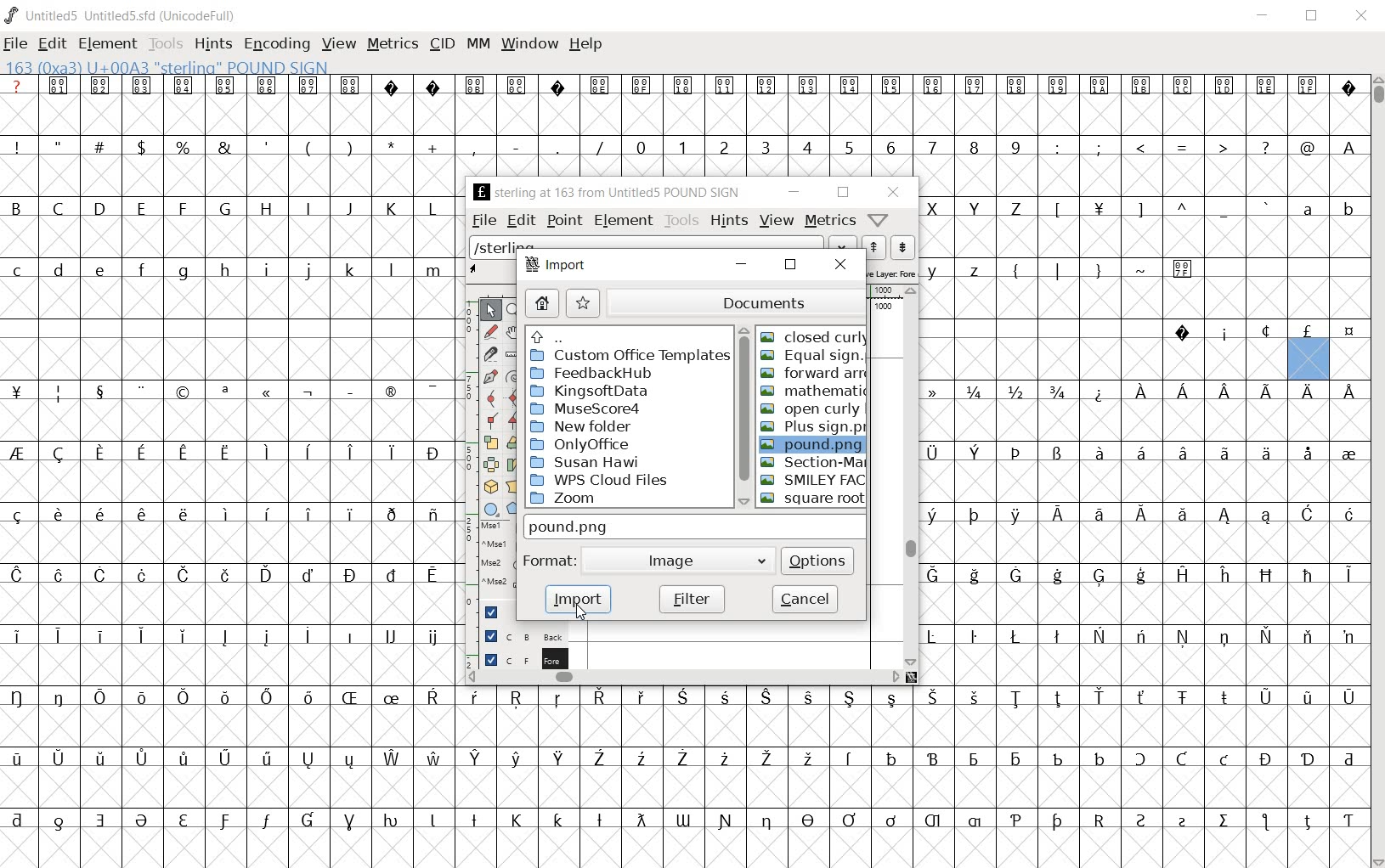 Image resolution: width=1385 pixels, height=868 pixels. Describe the element at coordinates (550, 564) in the screenshot. I see `format` at that location.